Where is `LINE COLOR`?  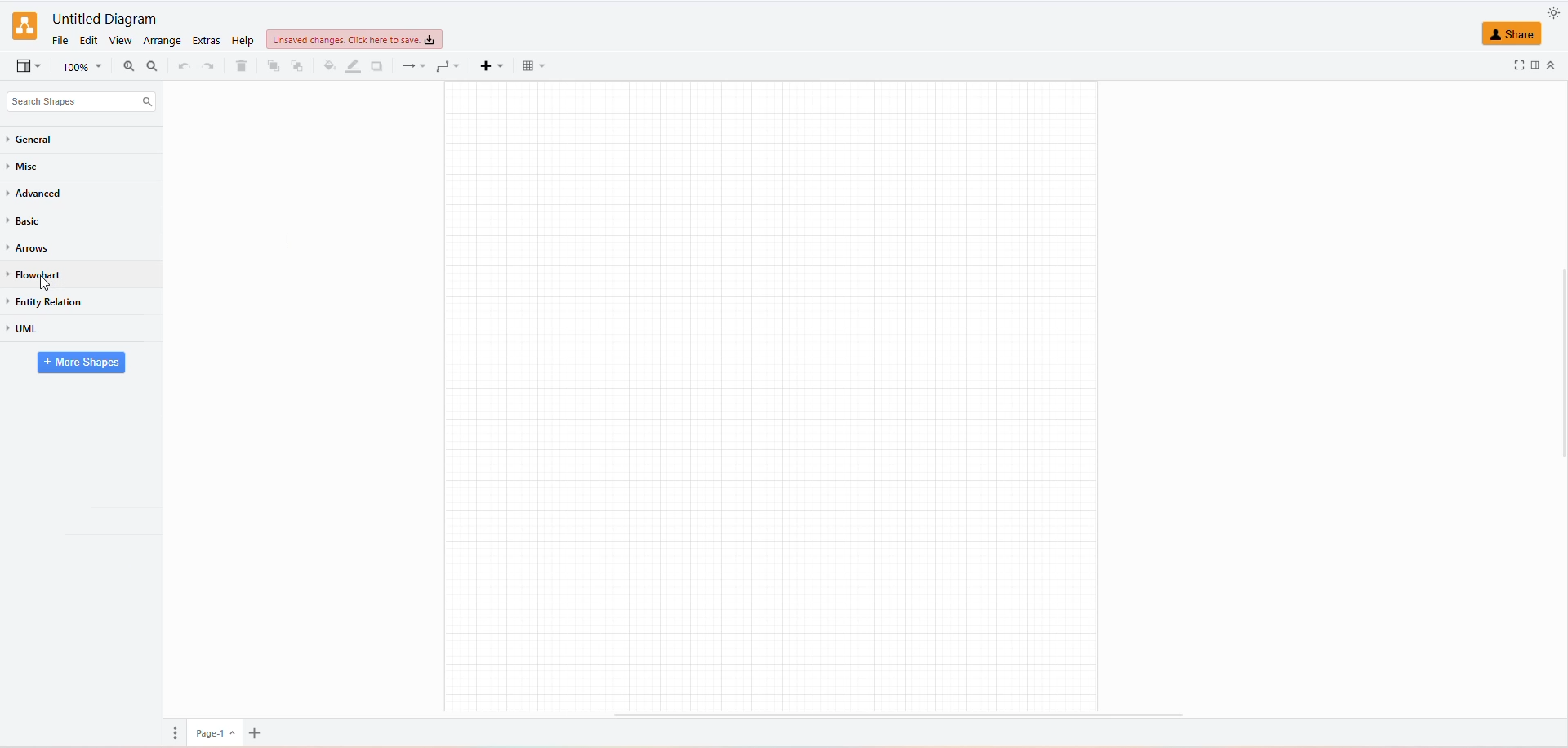
LINE COLOR is located at coordinates (353, 65).